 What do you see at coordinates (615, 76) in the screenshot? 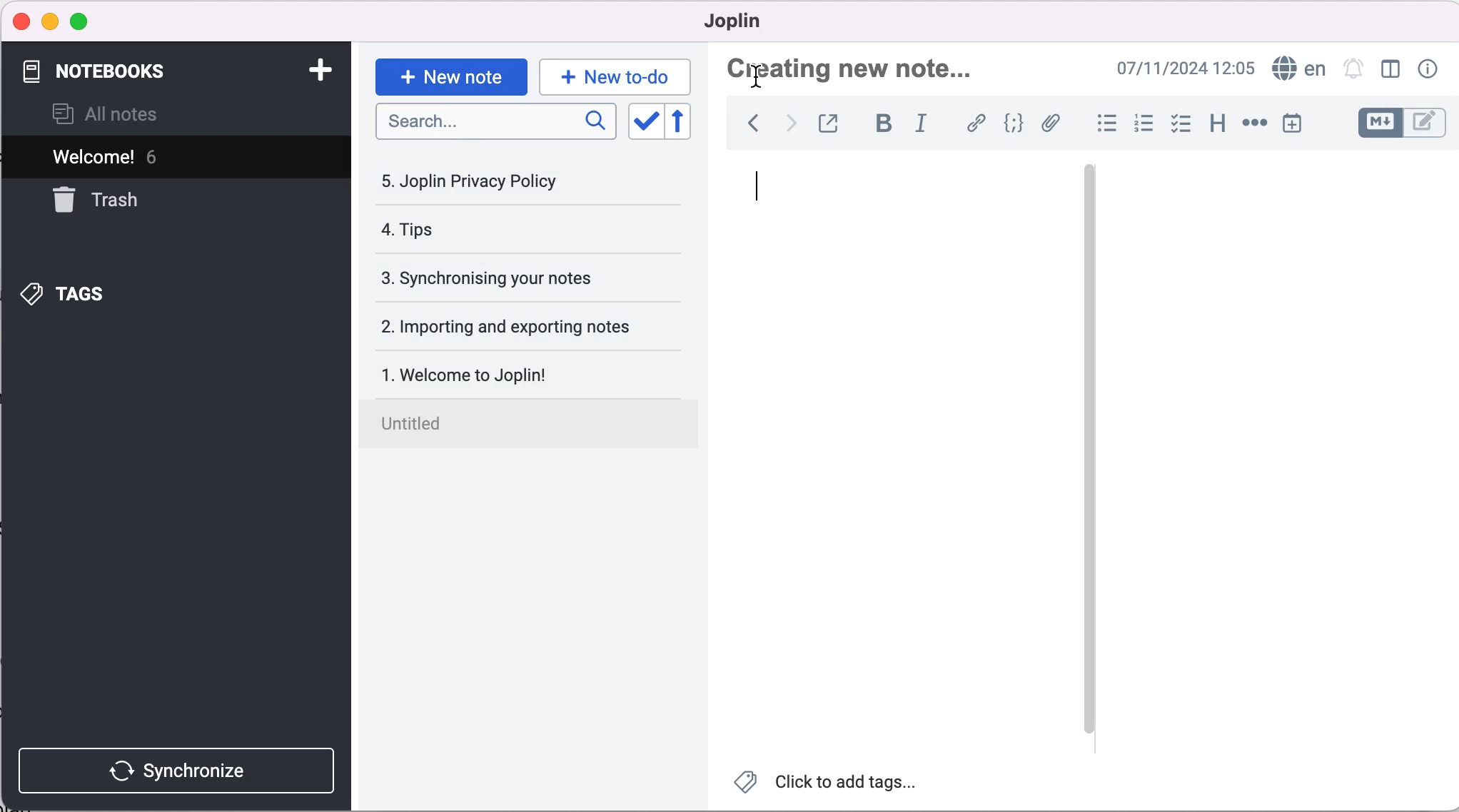
I see `new to-do` at bounding box center [615, 76].